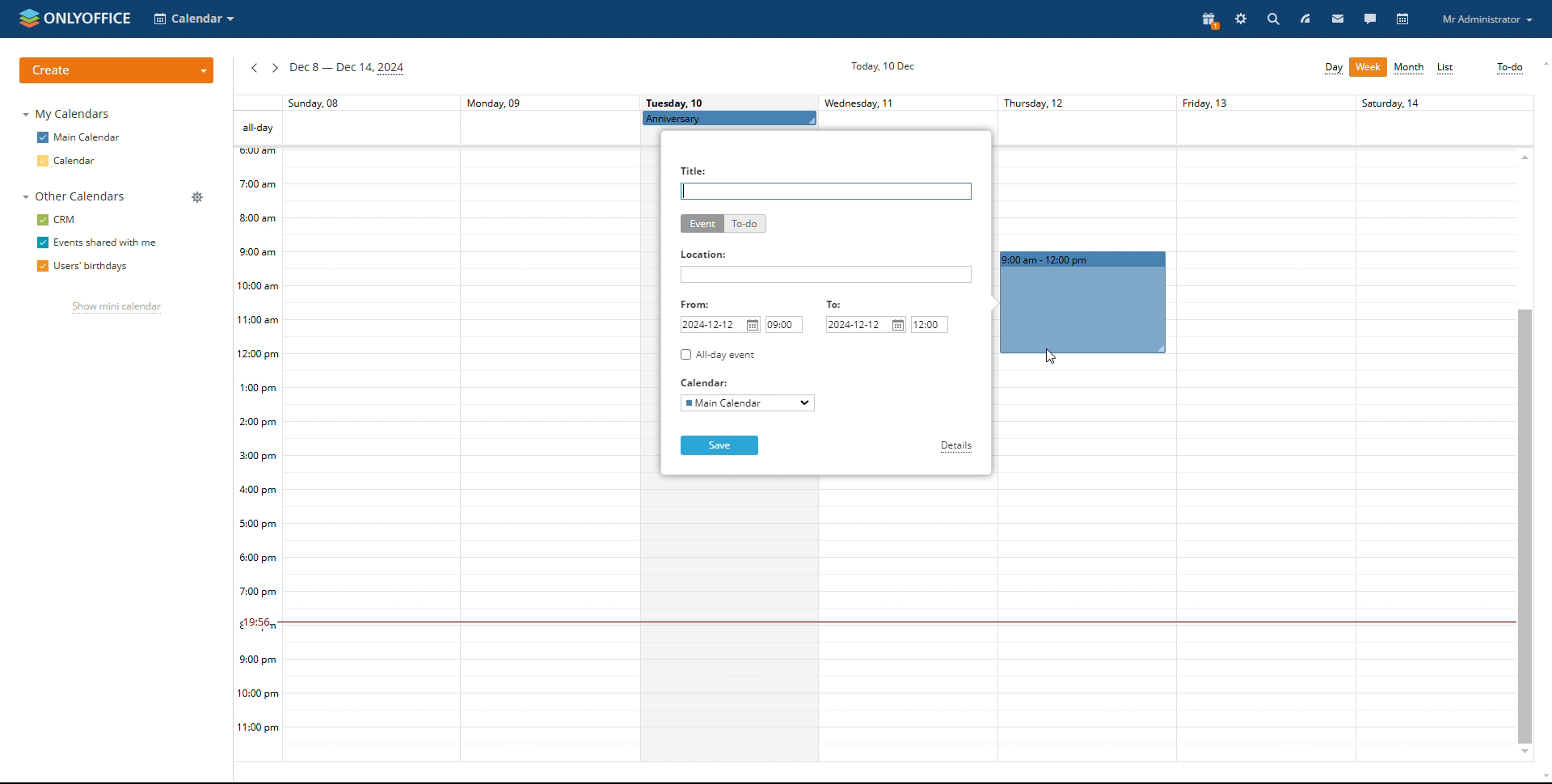 Image resolution: width=1552 pixels, height=784 pixels. I want to click on my calendars, so click(70, 115).